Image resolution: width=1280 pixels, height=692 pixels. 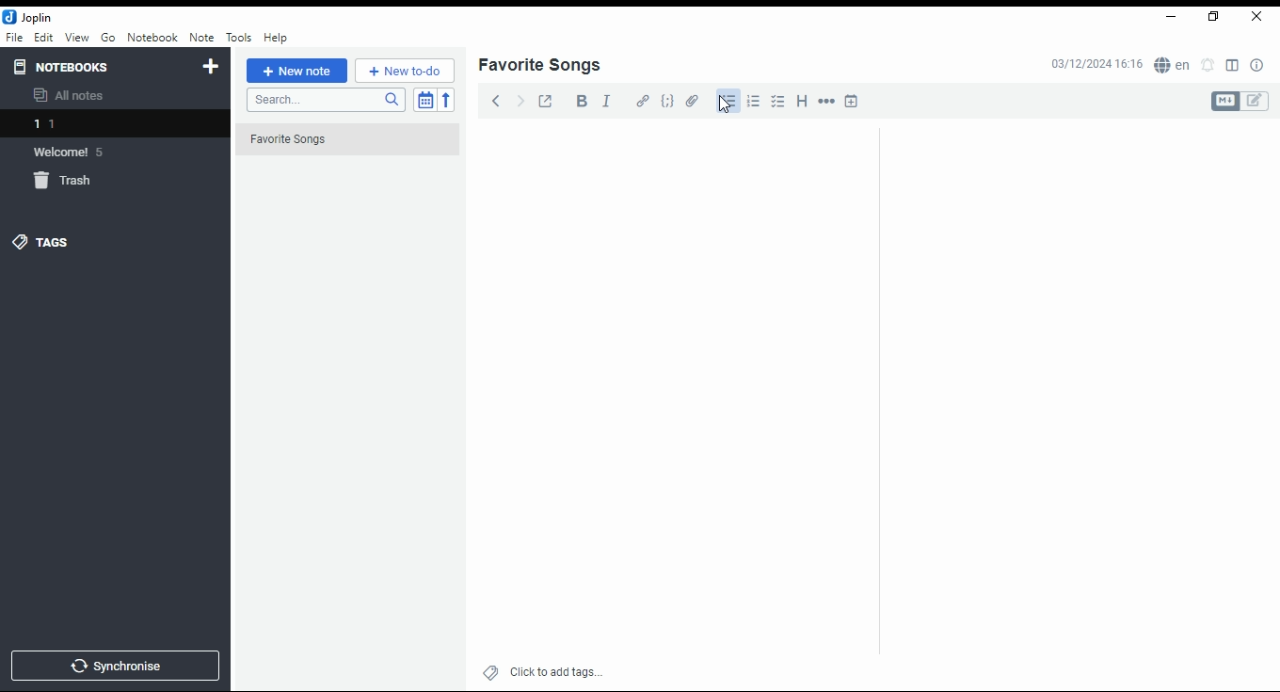 What do you see at coordinates (776, 103) in the screenshot?
I see `checkbox` at bounding box center [776, 103].